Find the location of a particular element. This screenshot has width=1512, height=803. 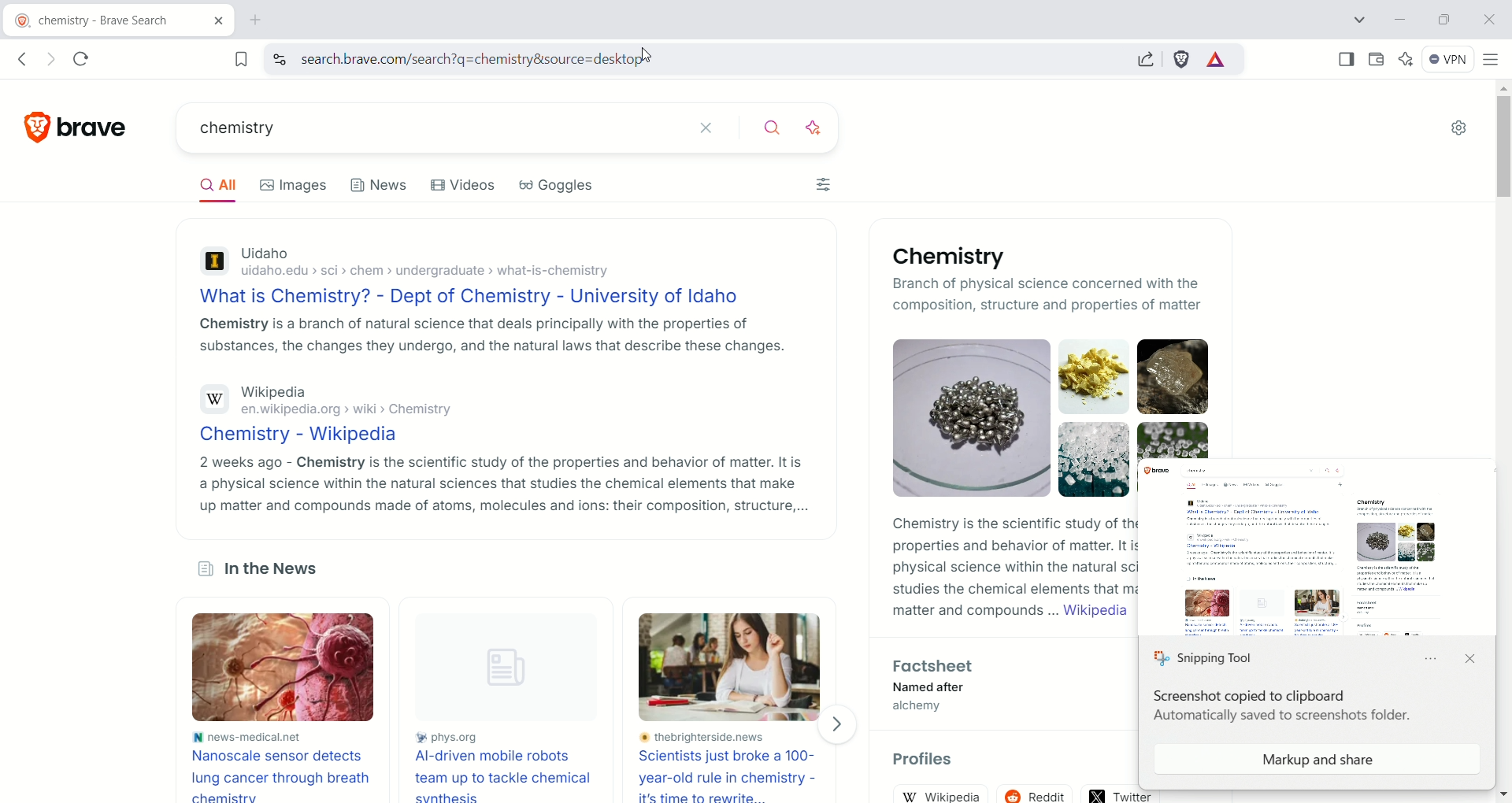

customize and control Brave is located at coordinates (1492, 58).